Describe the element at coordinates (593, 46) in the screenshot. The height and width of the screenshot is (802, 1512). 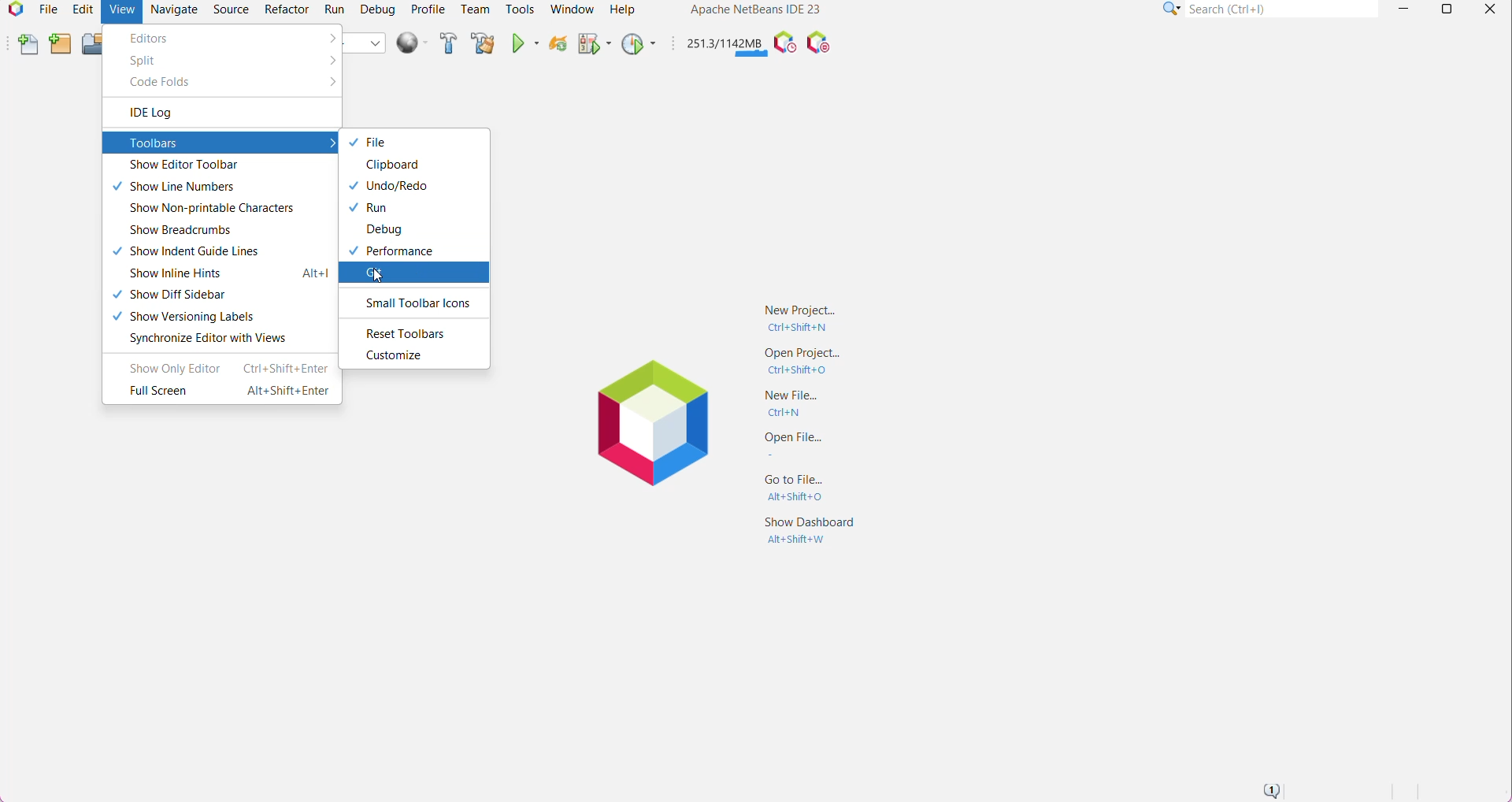
I see `Debug Main Project` at that location.